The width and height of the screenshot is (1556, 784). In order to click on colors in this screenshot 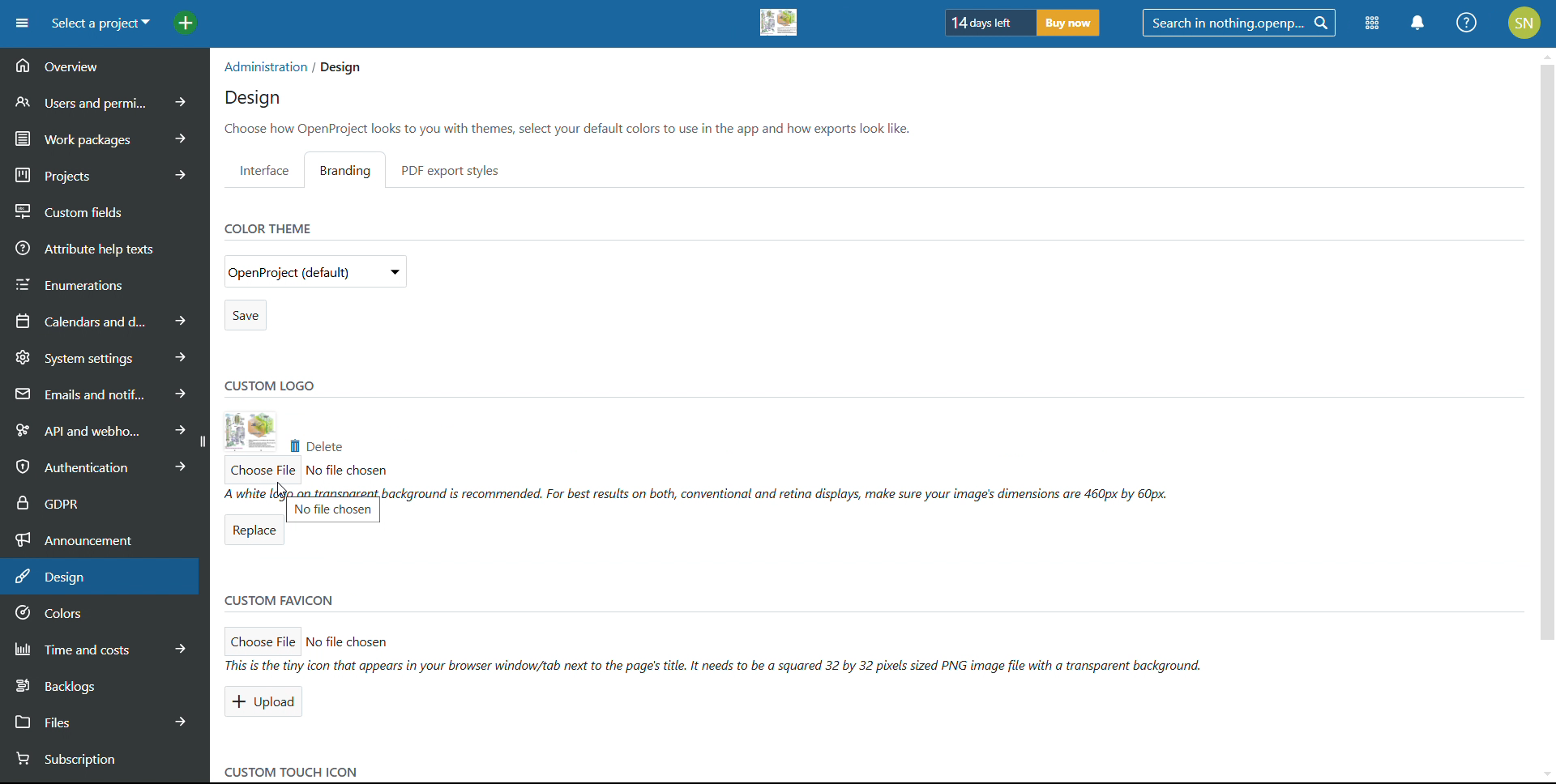, I will do `click(102, 614)`.